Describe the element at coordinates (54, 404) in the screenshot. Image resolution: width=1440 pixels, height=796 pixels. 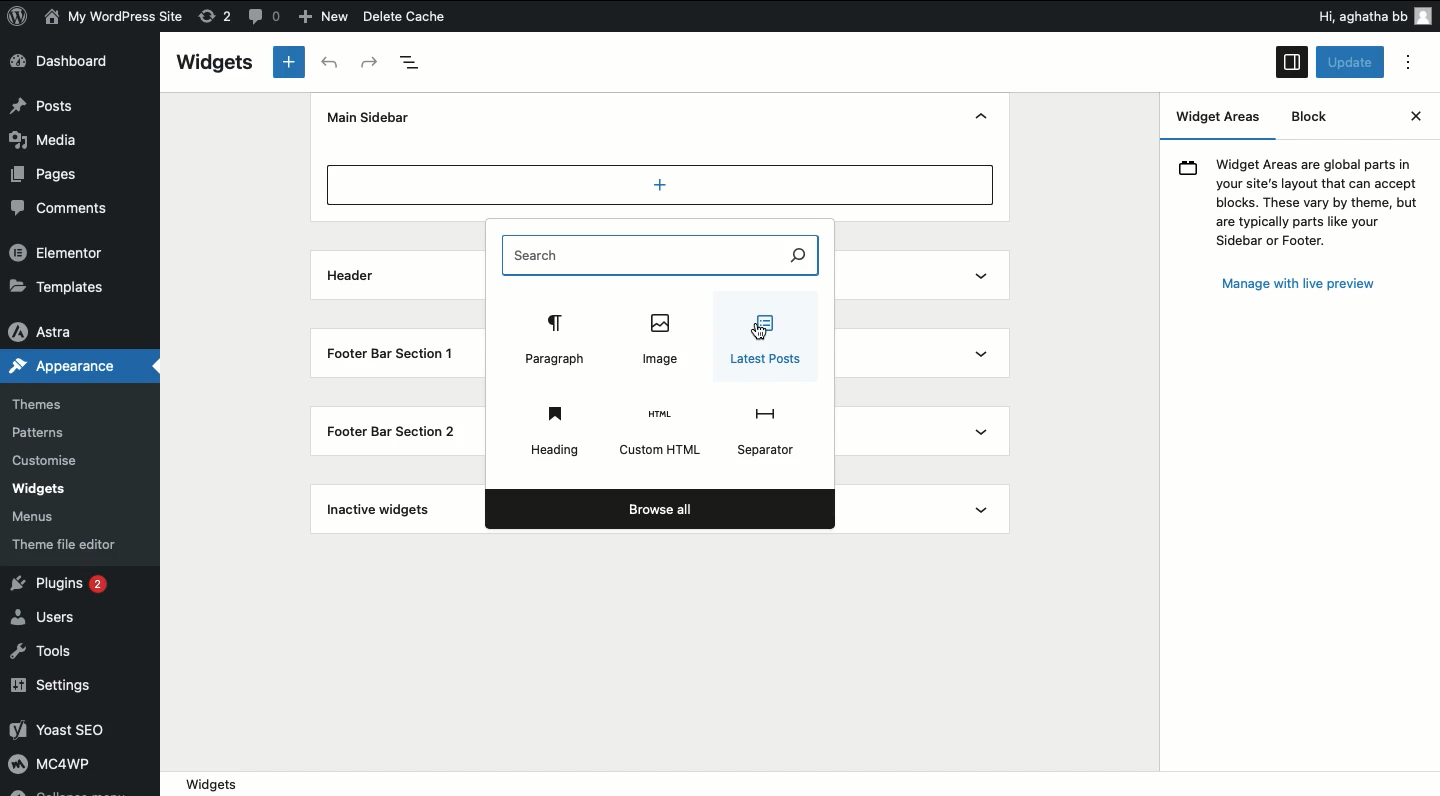
I see `Themes` at that location.